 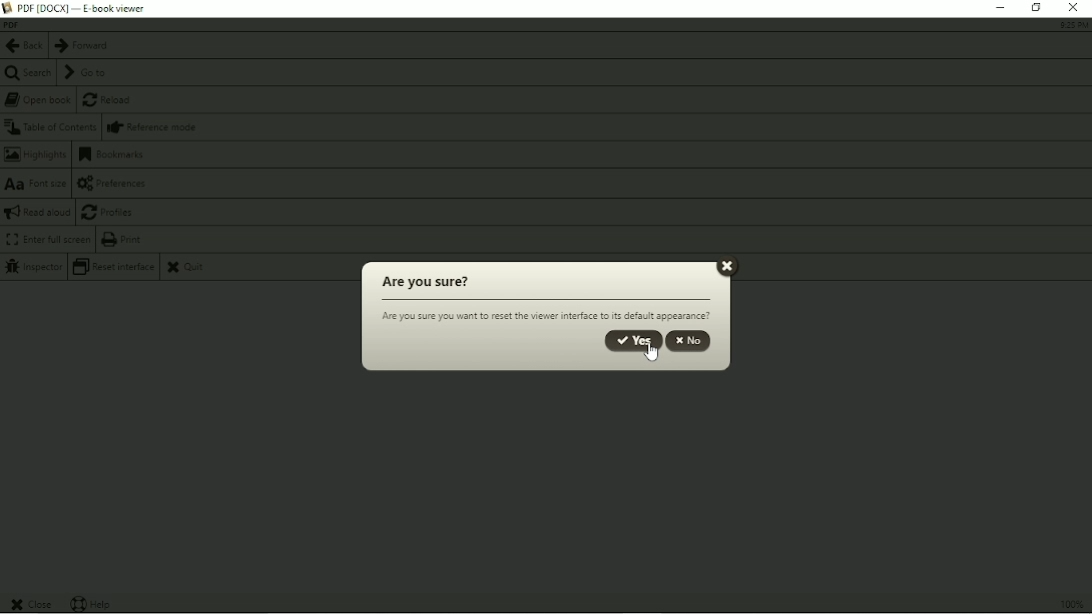 I want to click on Close, so click(x=727, y=265).